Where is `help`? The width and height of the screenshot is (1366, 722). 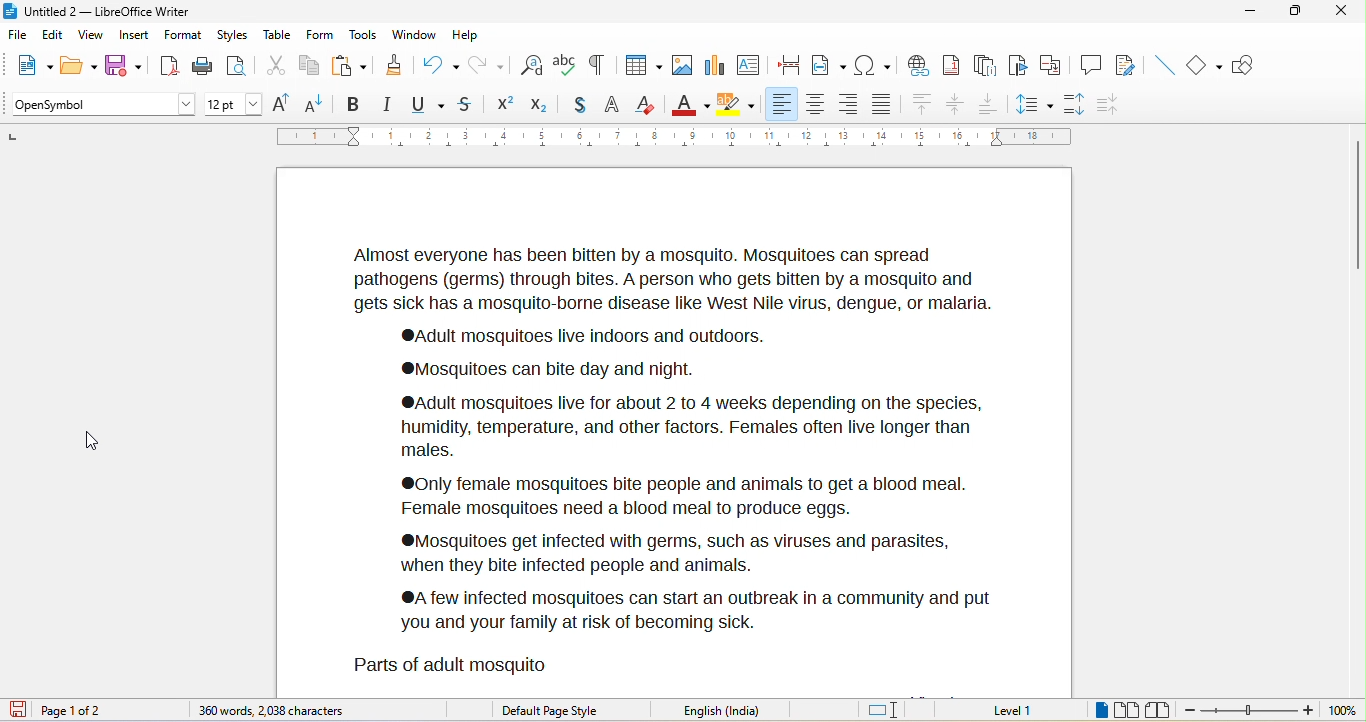 help is located at coordinates (463, 31).